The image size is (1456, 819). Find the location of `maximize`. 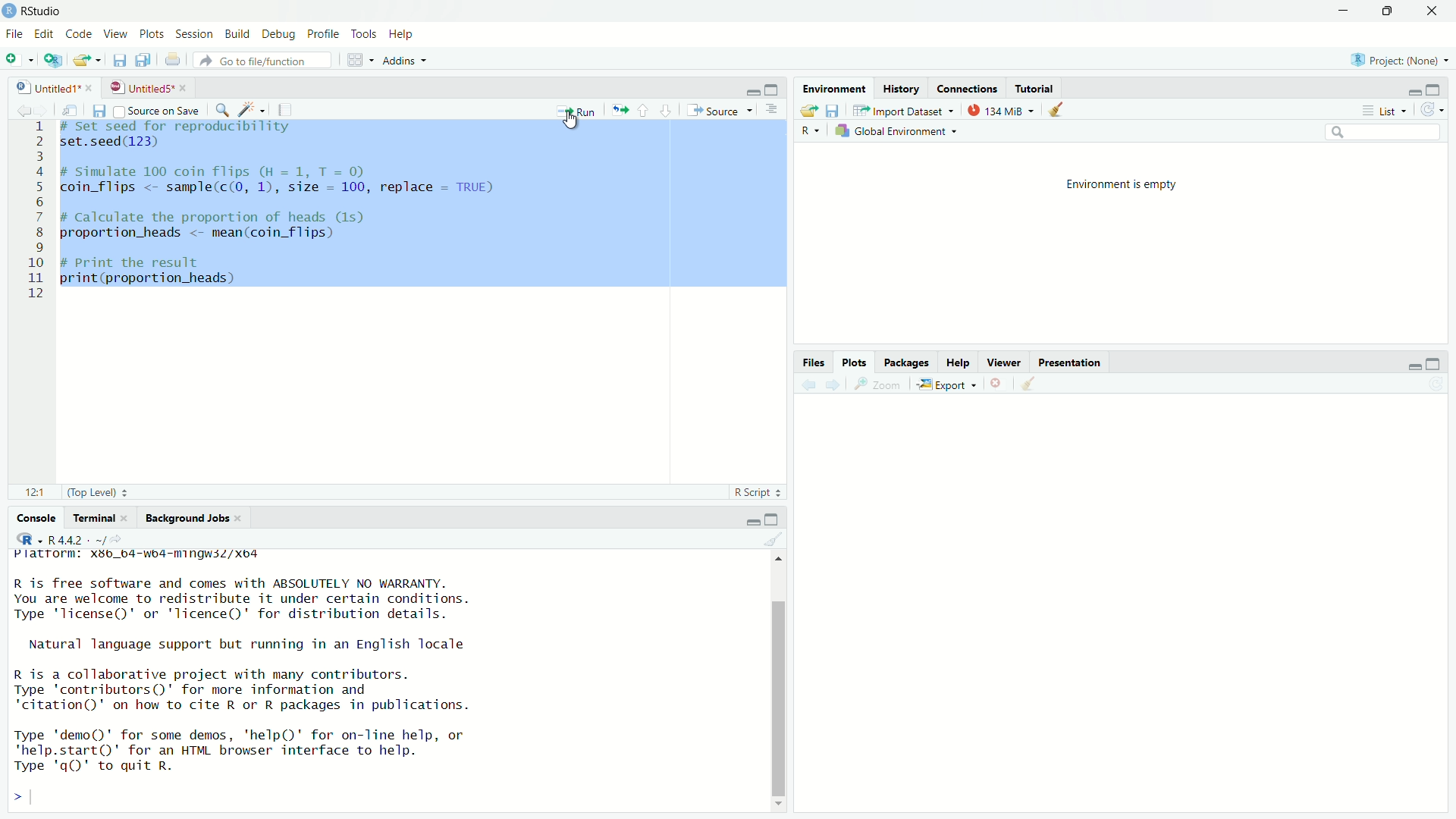

maximize is located at coordinates (778, 519).